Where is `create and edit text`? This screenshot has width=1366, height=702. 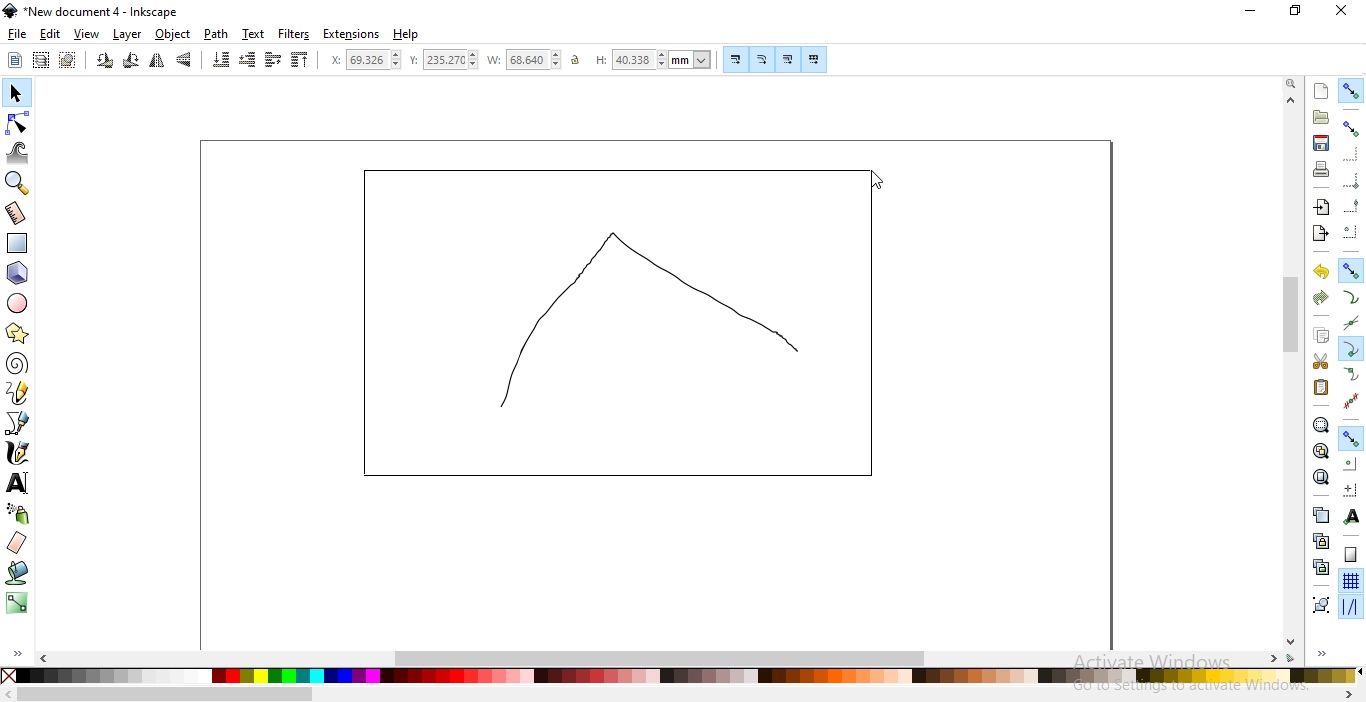
create and edit text is located at coordinates (18, 484).